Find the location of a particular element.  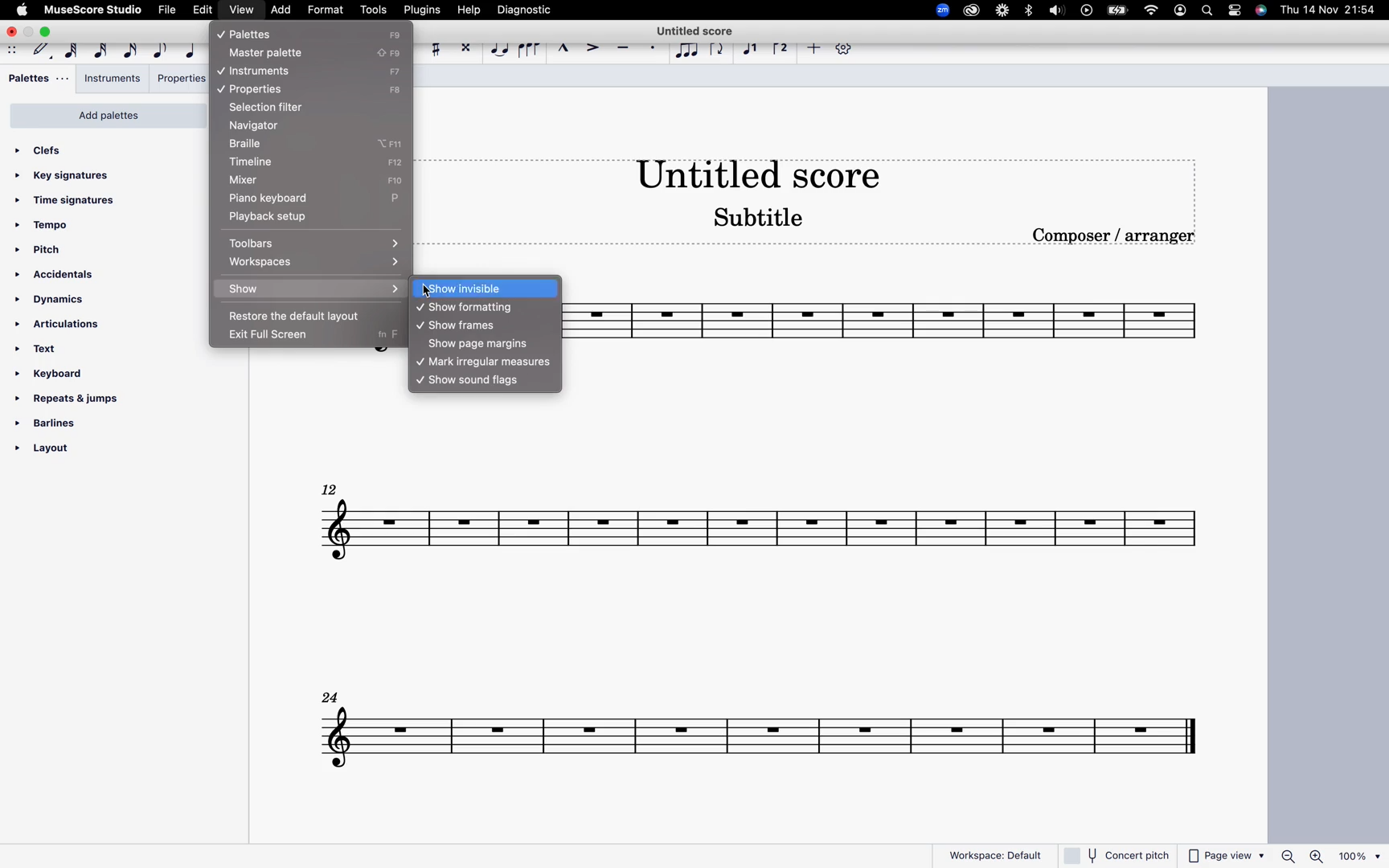

pitch is located at coordinates (51, 251).